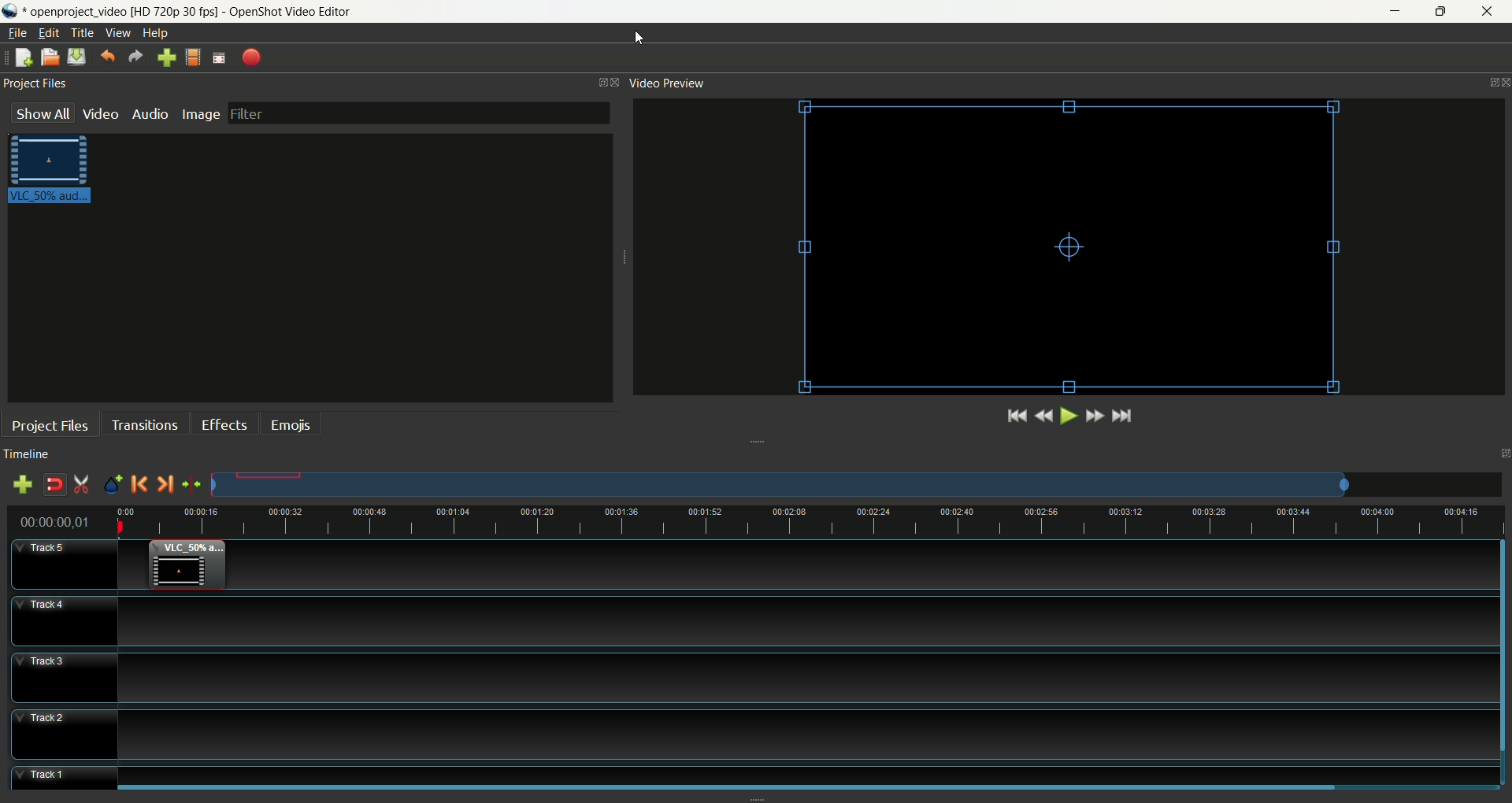 This screenshot has width=1512, height=803. Describe the element at coordinates (1397, 10) in the screenshot. I see `minimize` at that location.